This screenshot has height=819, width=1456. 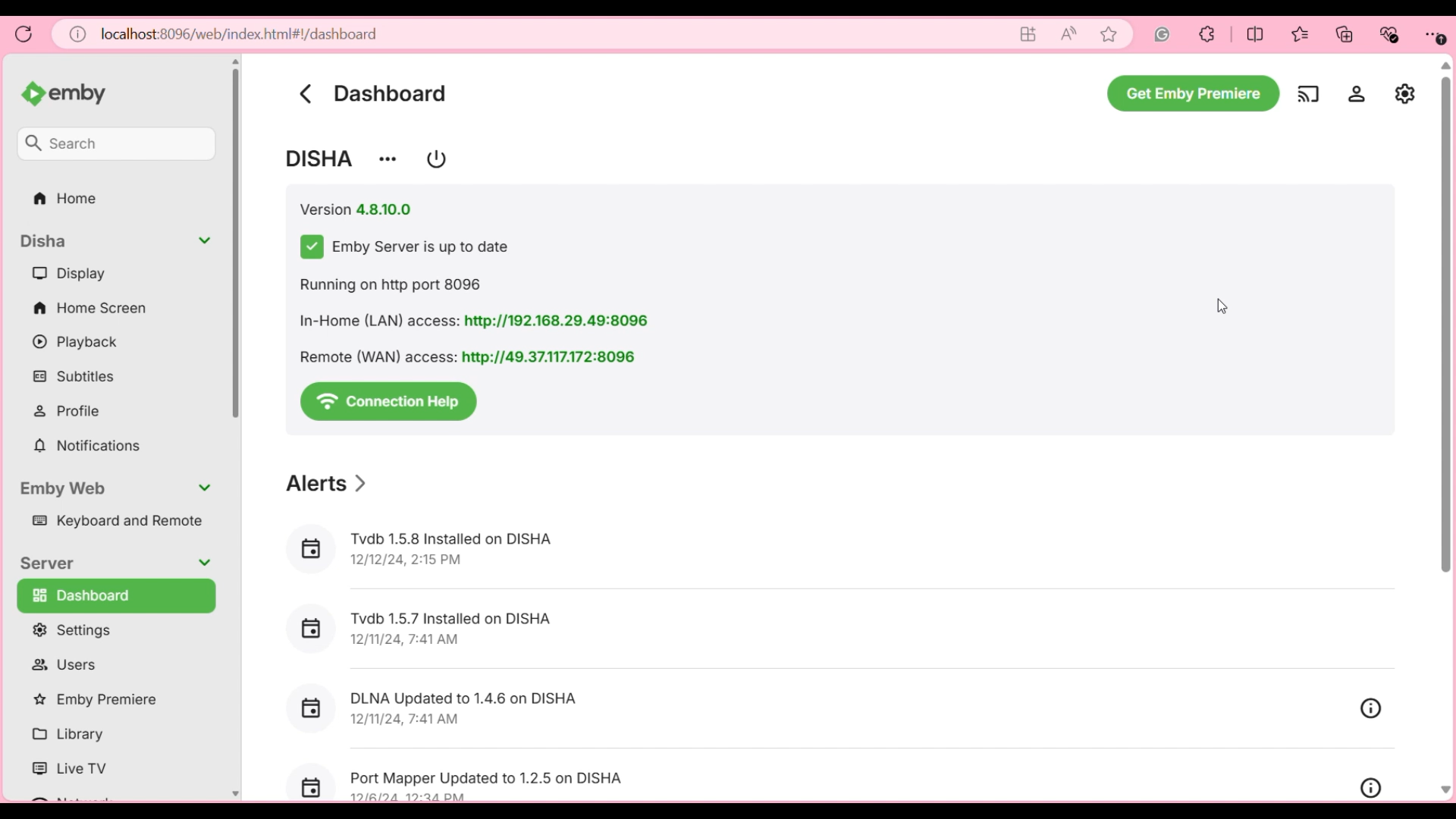 I want to click on emby, so click(x=93, y=96).